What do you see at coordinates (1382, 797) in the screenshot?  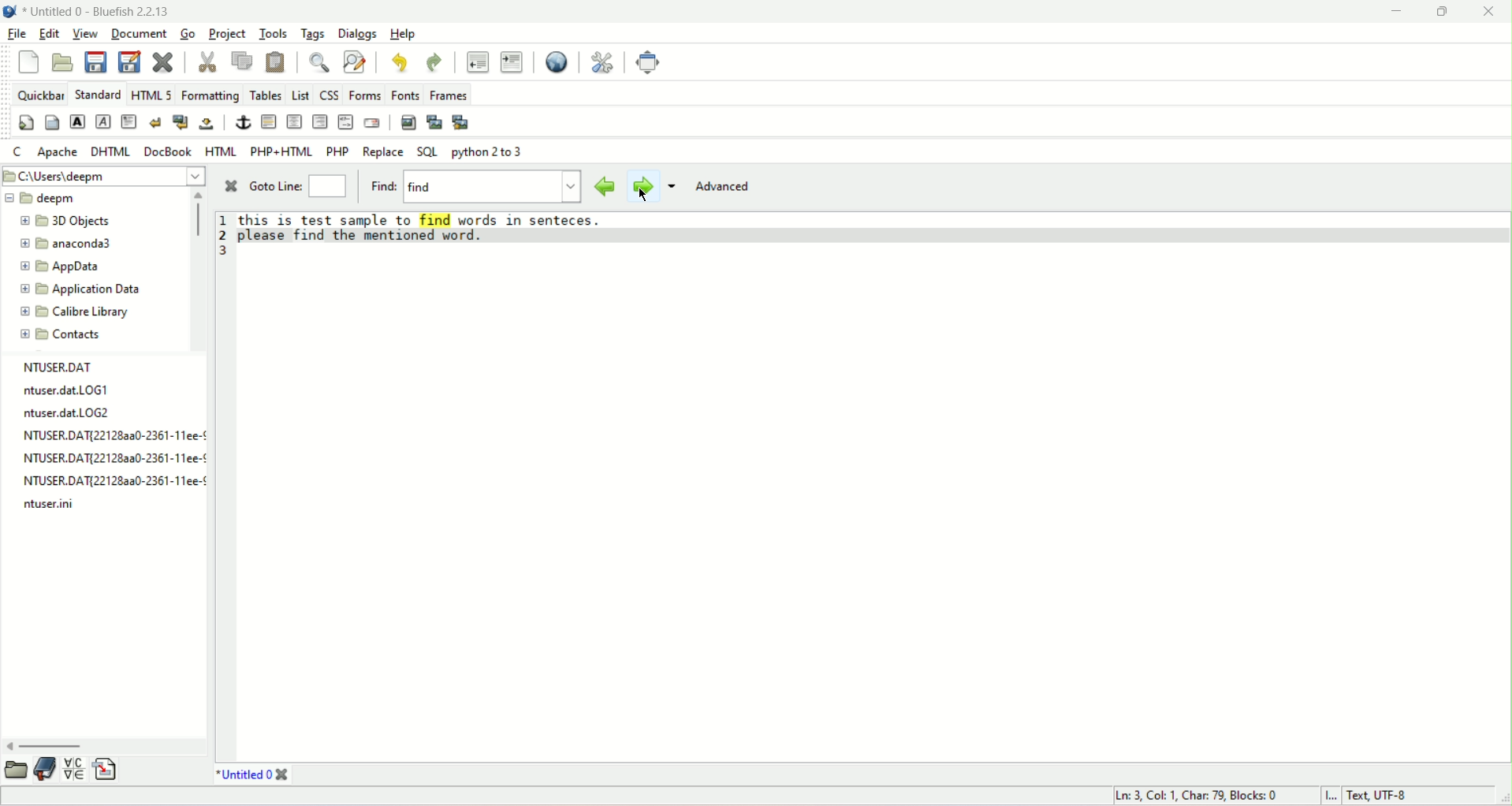 I see `text, UTF-8` at bounding box center [1382, 797].